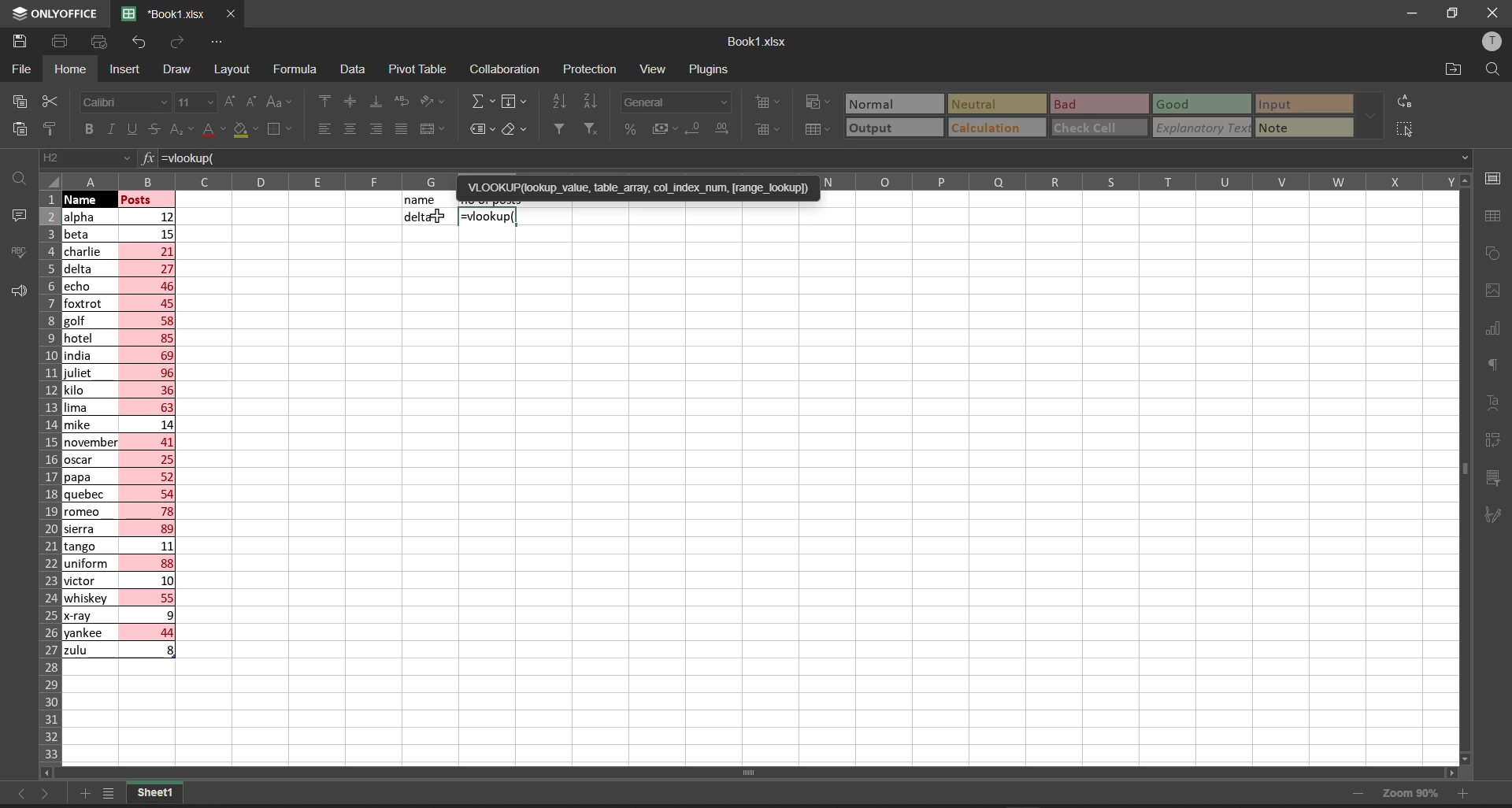 The height and width of the screenshot is (808, 1512). Describe the element at coordinates (234, 70) in the screenshot. I see `layout` at that location.